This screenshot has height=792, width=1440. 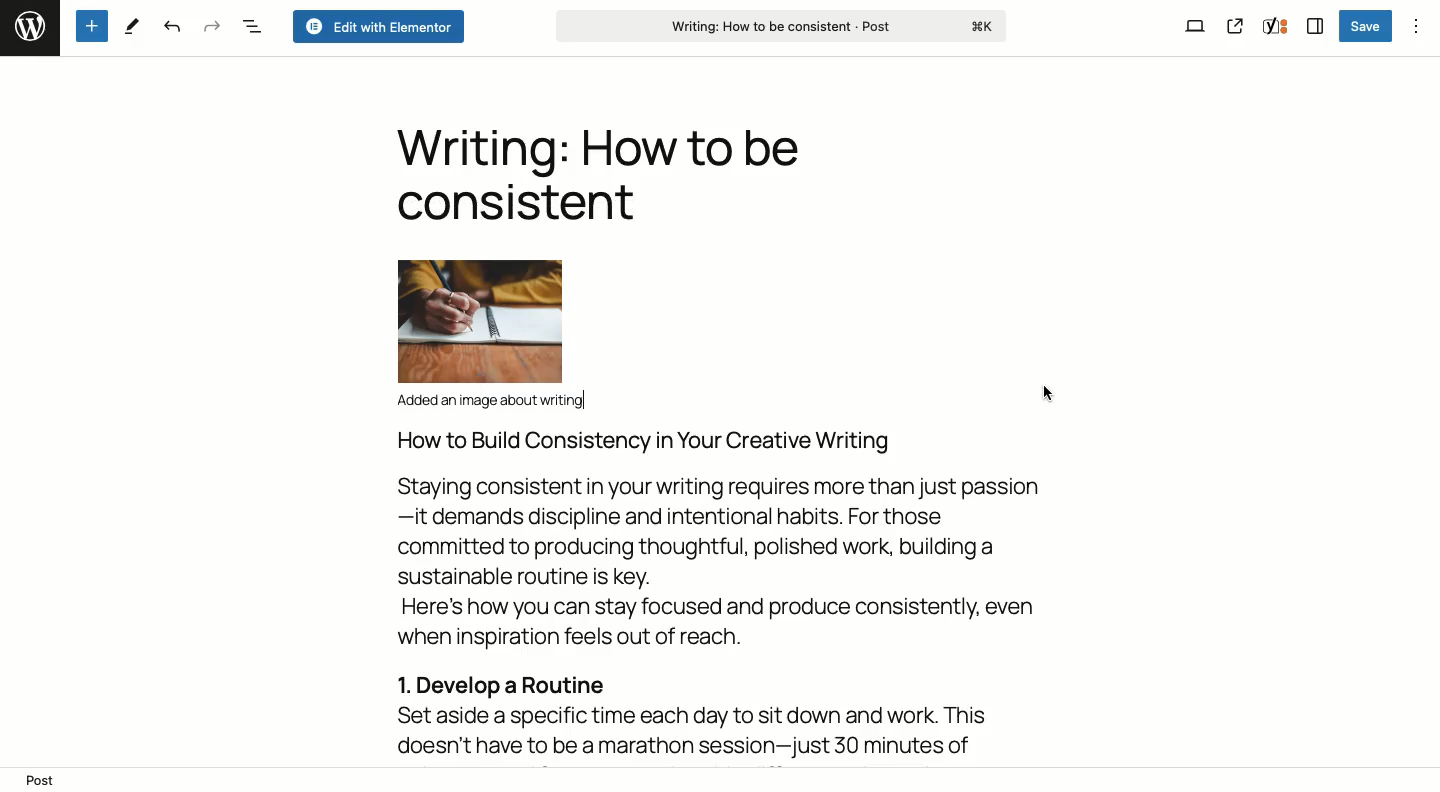 What do you see at coordinates (251, 25) in the screenshot?
I see `Document overview` at bounding box center [251, 25].